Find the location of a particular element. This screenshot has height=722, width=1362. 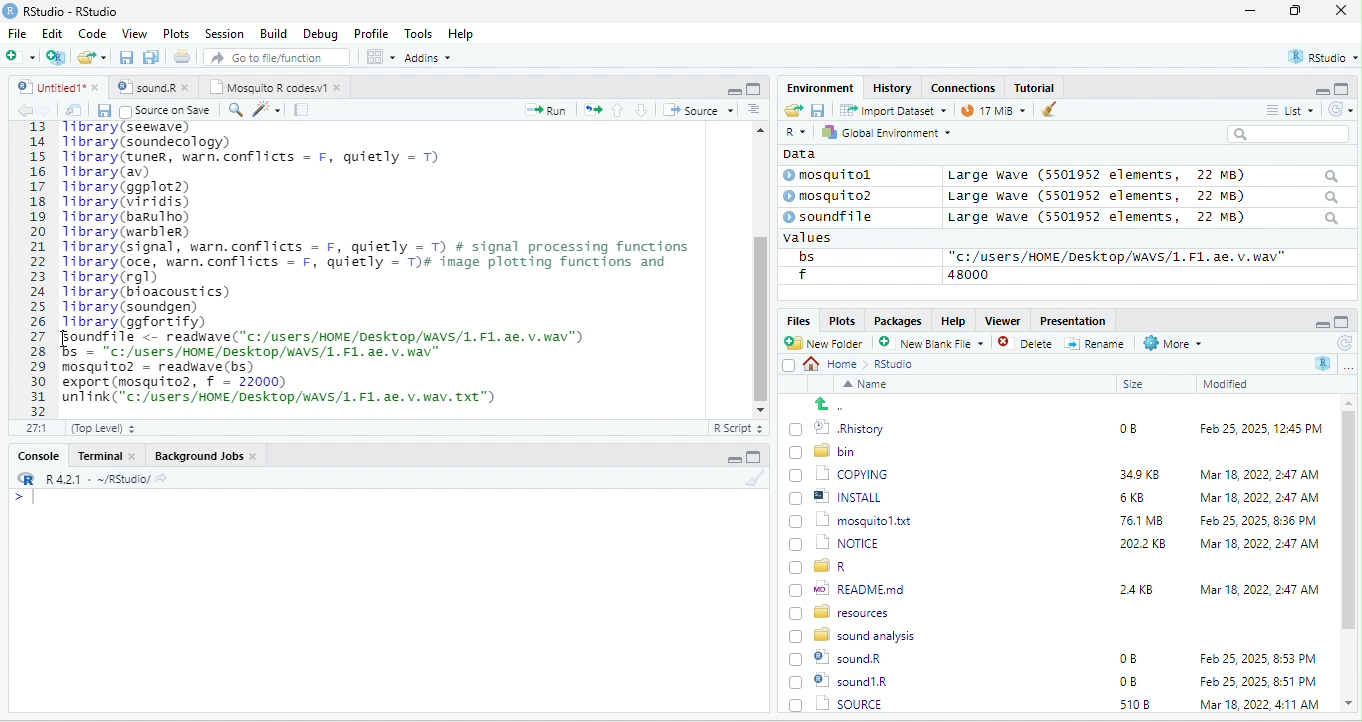

Size is located at coordinates (1134, 385).